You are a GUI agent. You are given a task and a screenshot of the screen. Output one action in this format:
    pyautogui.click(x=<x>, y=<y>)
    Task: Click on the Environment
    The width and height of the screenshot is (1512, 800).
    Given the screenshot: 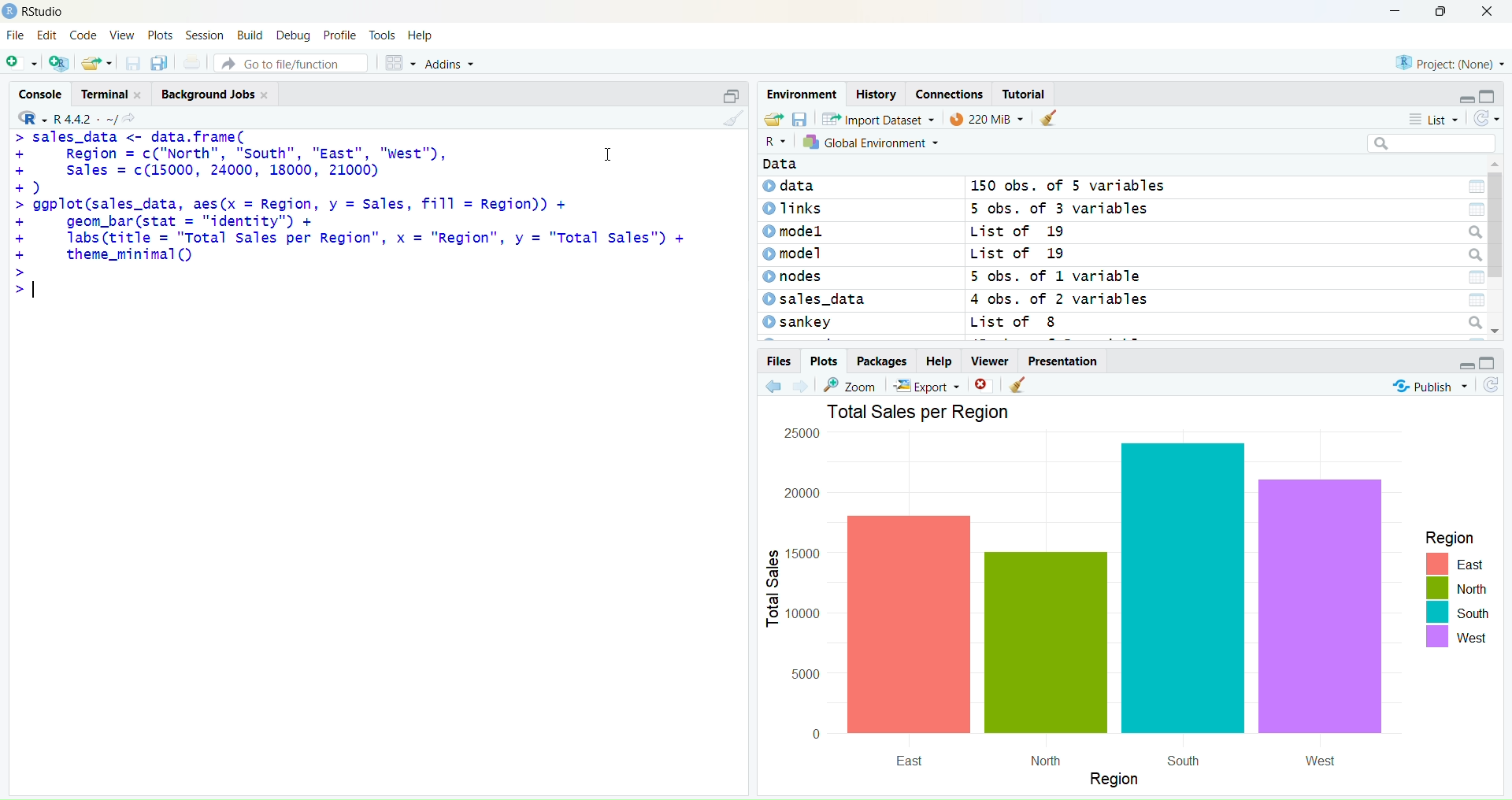 What is the action you would take?
    pyautogui.click(x=803, y=93)
    